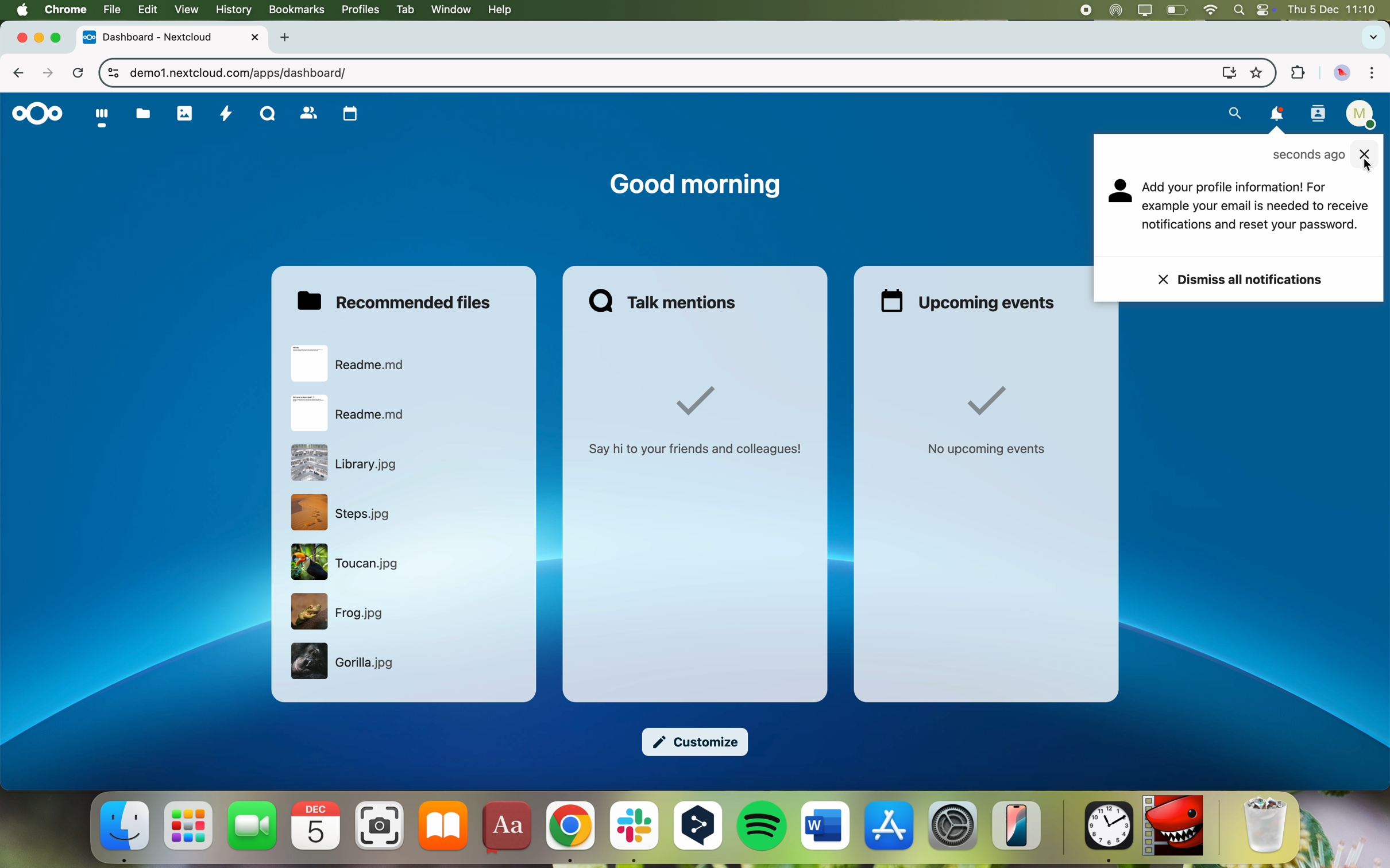  Describe the element at coordinates (1372, 74) in the screenshot. I see `customize and control Google Chrome` at that location.